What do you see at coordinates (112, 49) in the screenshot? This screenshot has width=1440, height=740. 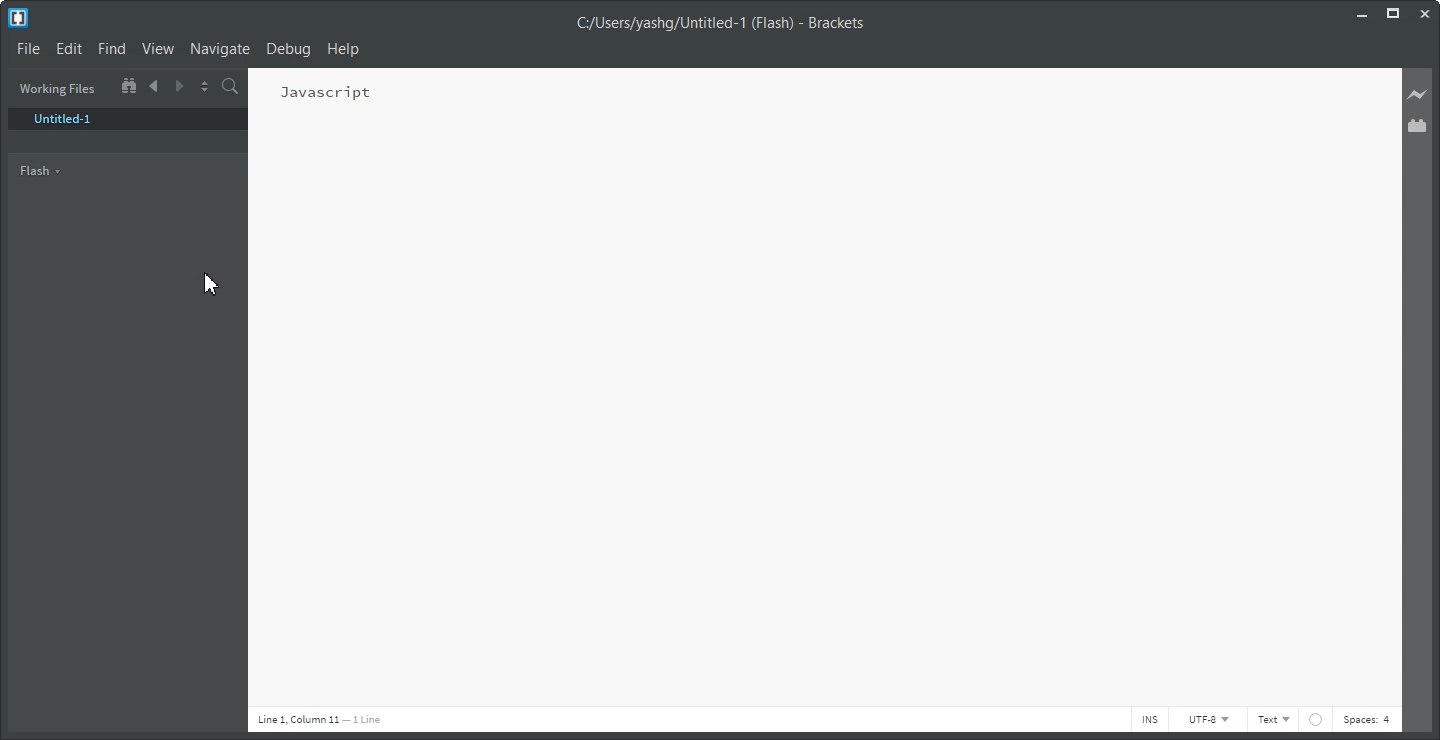 I see `Find` at bounding box center [112, 49].